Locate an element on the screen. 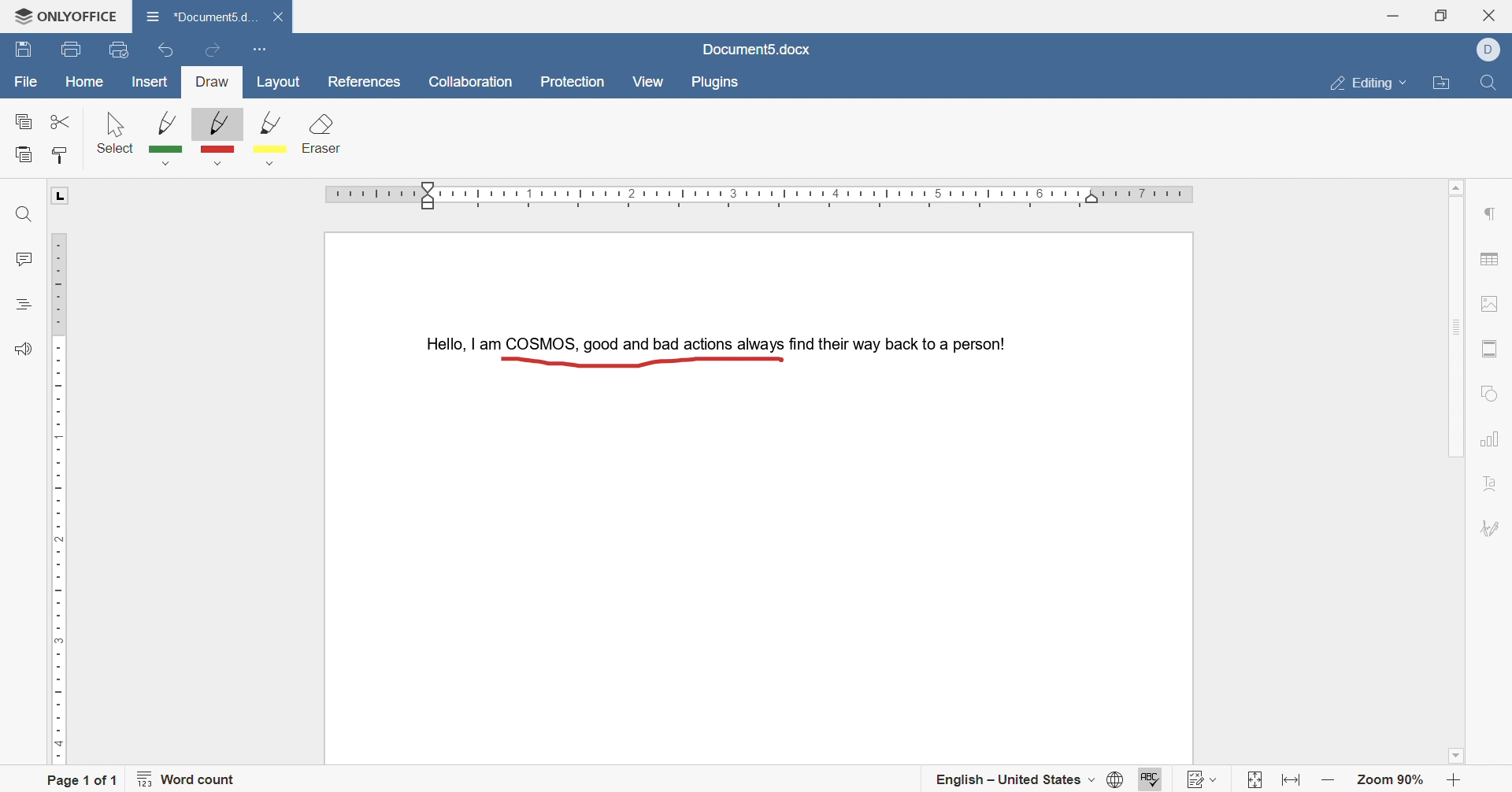 The image size is (1512, 792). clear is located at coordinates (324, 136).